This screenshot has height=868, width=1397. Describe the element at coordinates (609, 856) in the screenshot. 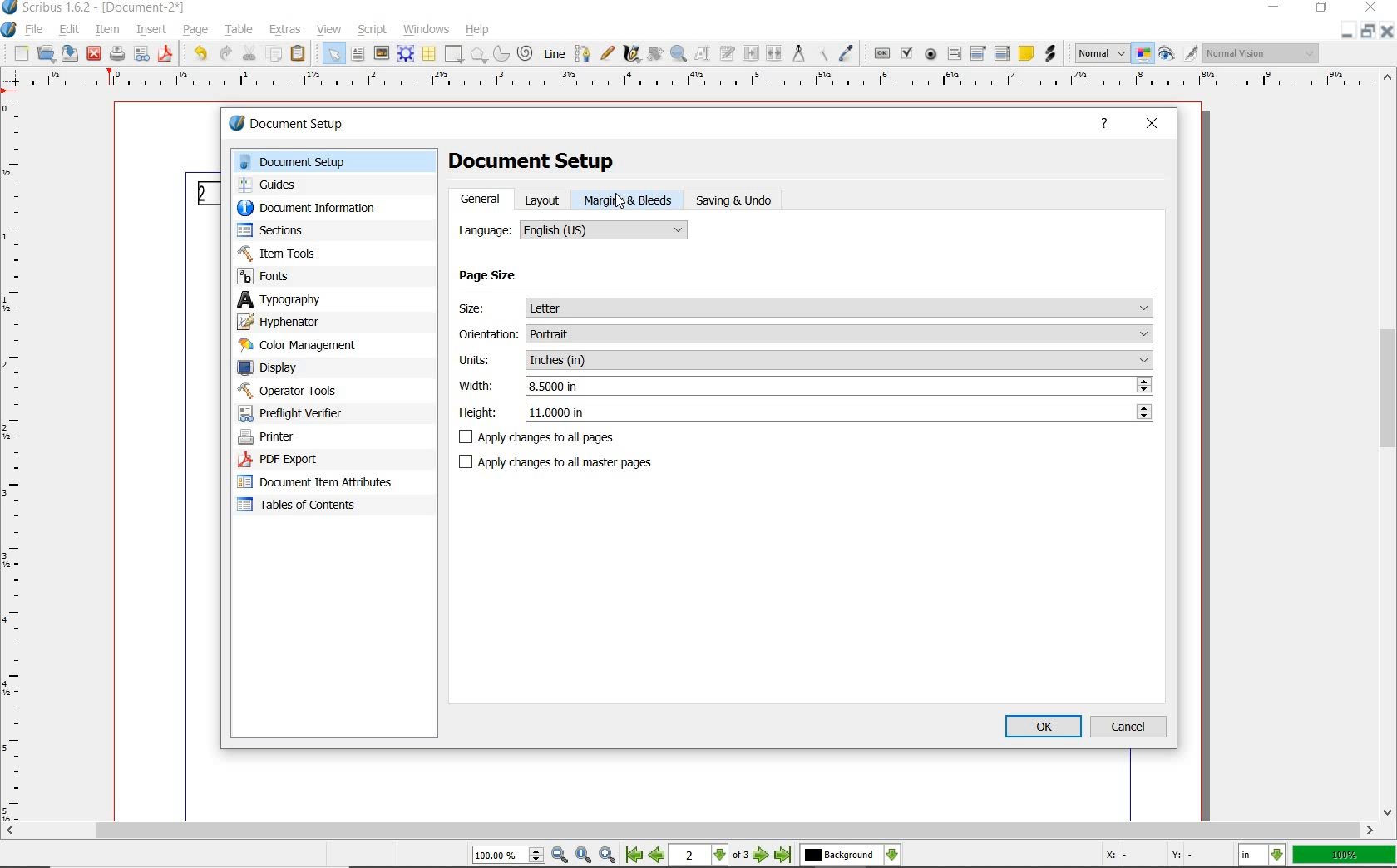

I see `Zoom In` at that location.